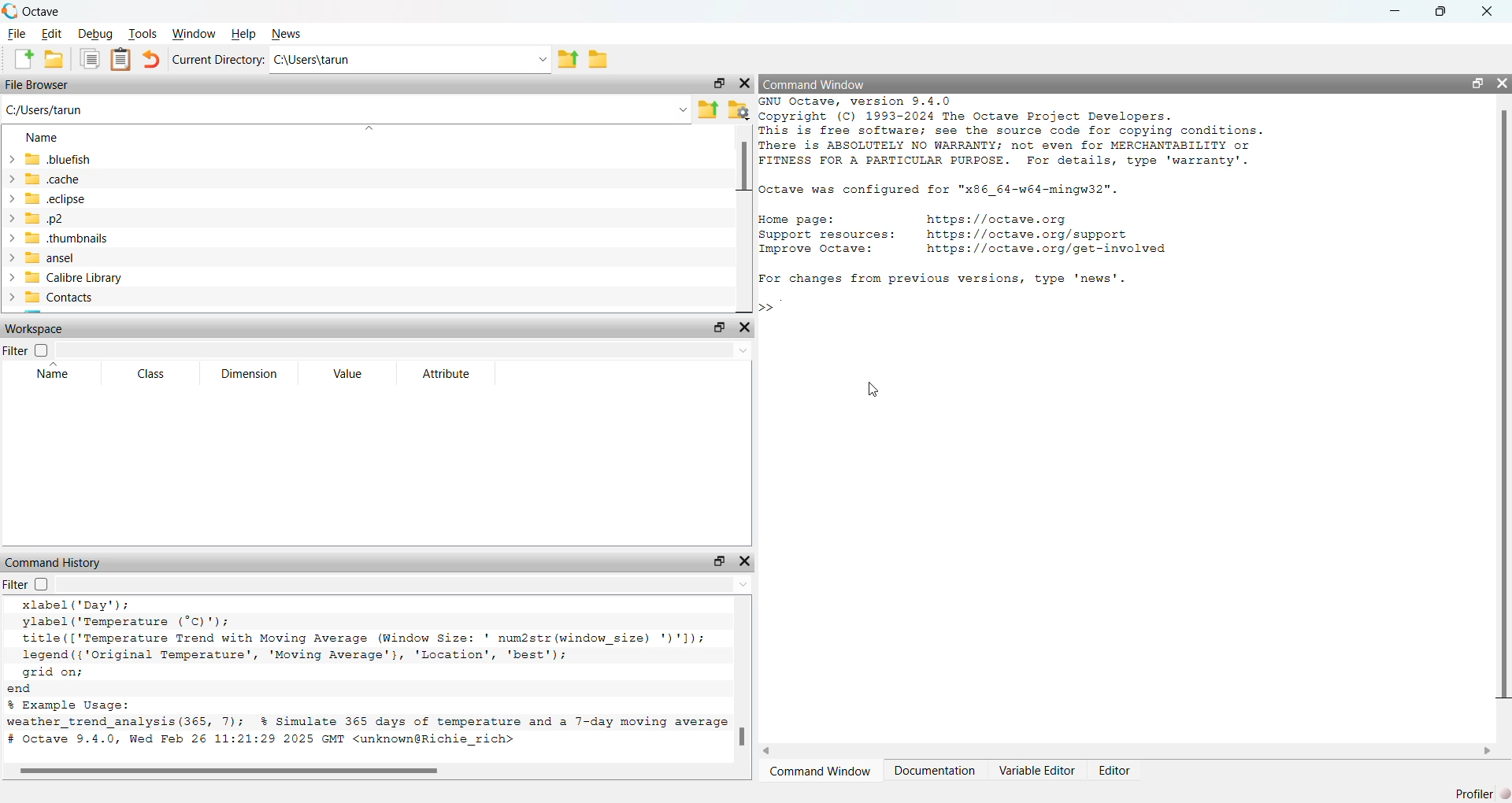 The width and height of the screenshot is (1512, 803). I want to click on GNU Octave, version 9.4.0

Copyright (C) 1993-2024 The Octave Project Developers.

This is free software; see the source code for copying conditions.
There is ABSOLUTELY NO WARRANTY; not even for MERCHANTABILITY or
FITNESS FOR A PARTICULAR PURPOSE. For details, type 'warranty'.
octave was configured for "x86_64-w64-mingw32".

Home page: https://octave.org

Support resources:  https://octave.org/support

Improve Octave: https://octave.org/get-involved

Bi elisa Sali cooled tin cop doin. Some MEaliy’, so click(1019, 188).